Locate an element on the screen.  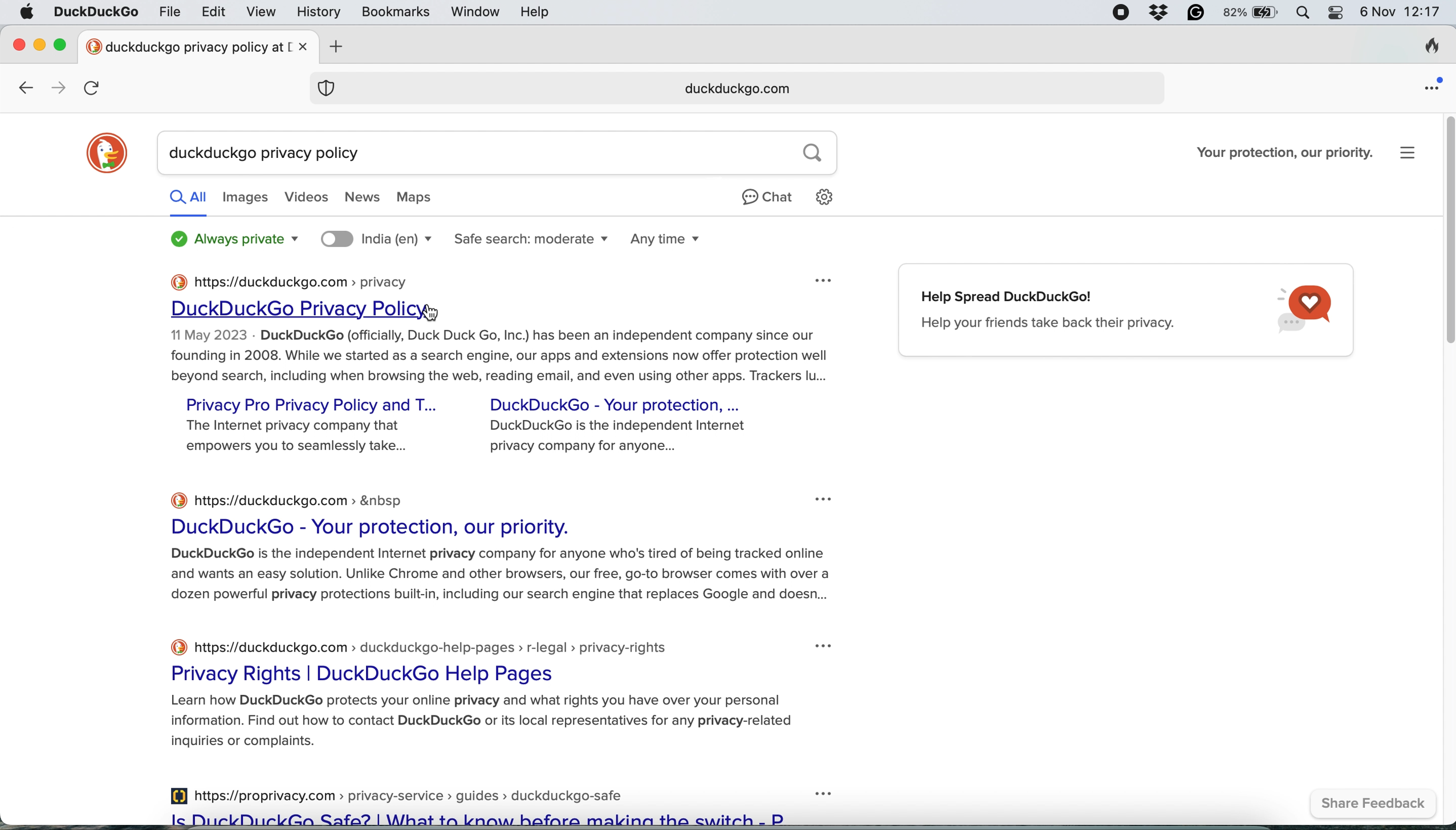
vertical scroll bar is located at coordinates (1445, 235).